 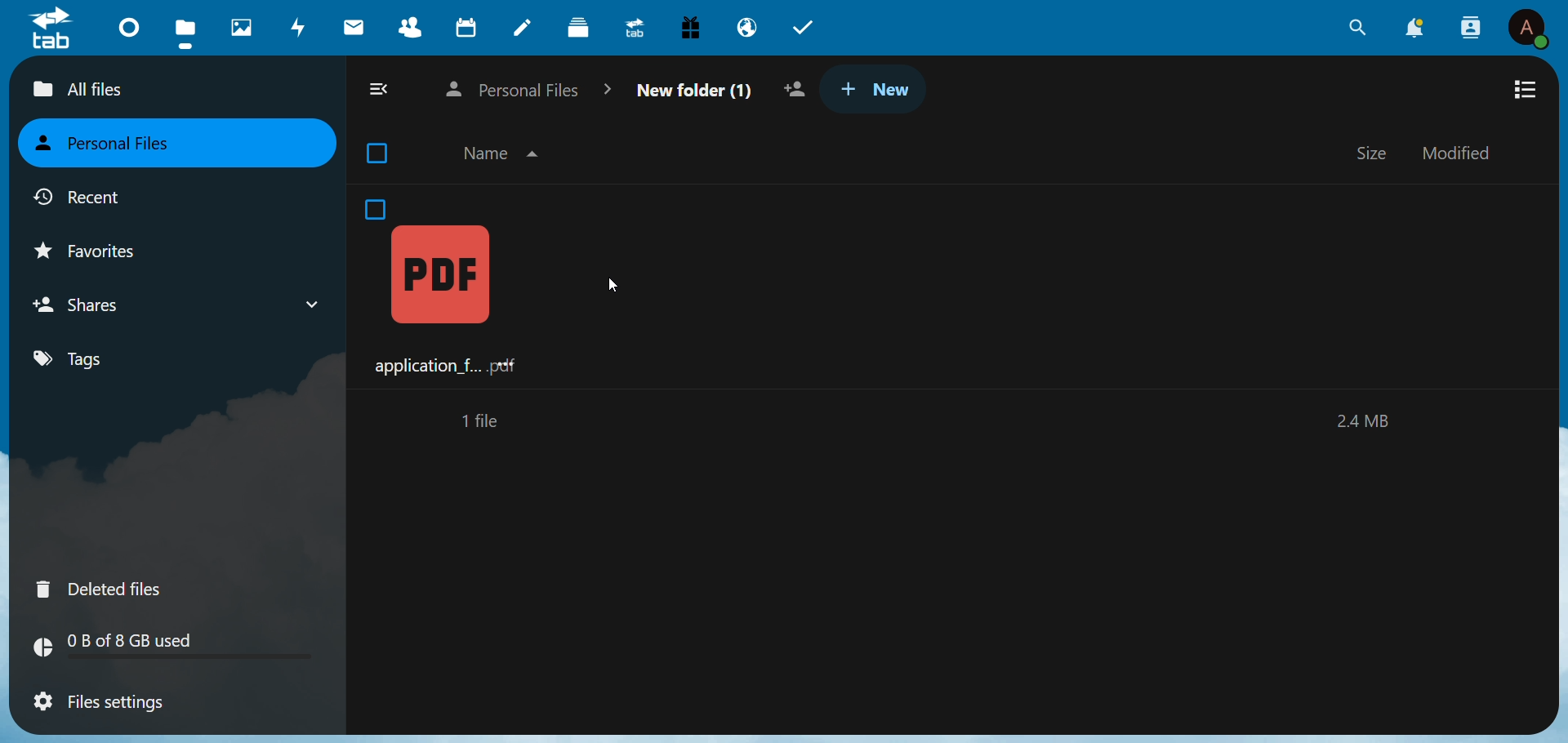 I want to click on file, so click(x=185, y=31).